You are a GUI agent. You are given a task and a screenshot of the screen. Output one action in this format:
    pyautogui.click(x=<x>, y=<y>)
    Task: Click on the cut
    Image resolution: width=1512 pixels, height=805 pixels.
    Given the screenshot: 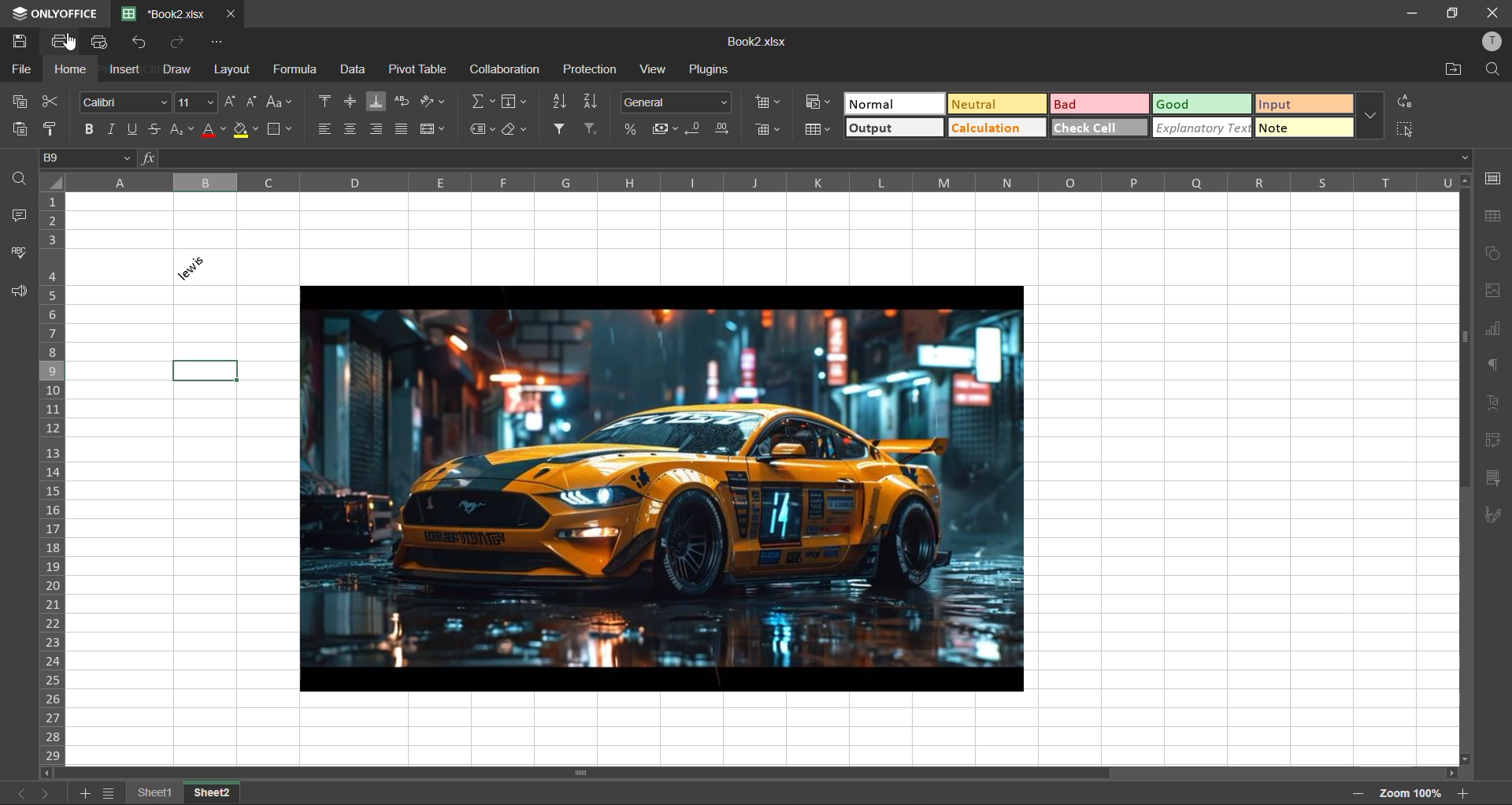 What is the action you would take?
    pyautogui.click(x=48, y=101)
    